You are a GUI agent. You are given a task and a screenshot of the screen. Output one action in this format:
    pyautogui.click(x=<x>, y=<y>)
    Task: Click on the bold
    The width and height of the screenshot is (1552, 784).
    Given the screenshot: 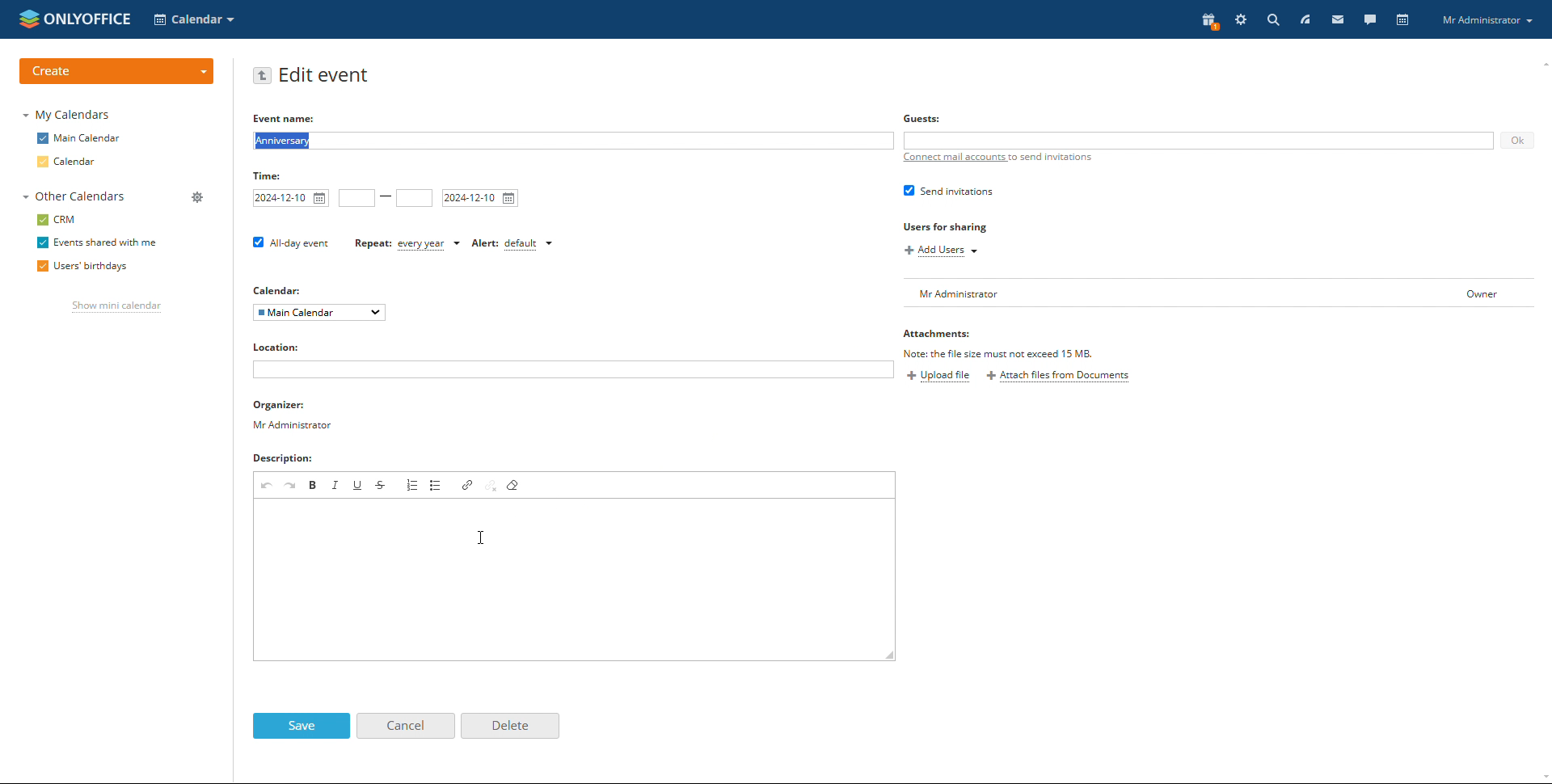 What is the action you would take?
    pyautogui.click(x=314, y=484)
    